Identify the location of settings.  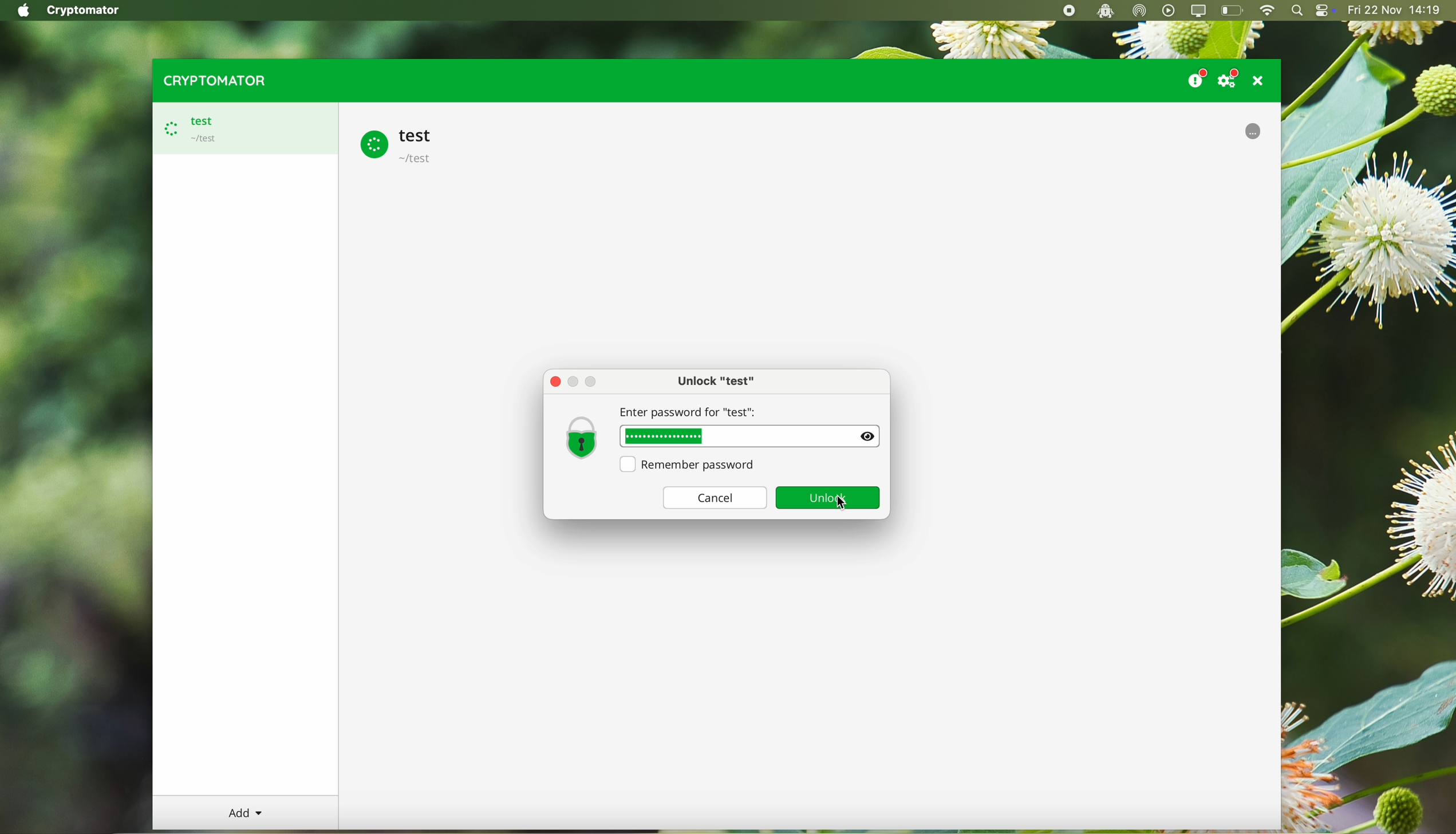
(1231, 78).